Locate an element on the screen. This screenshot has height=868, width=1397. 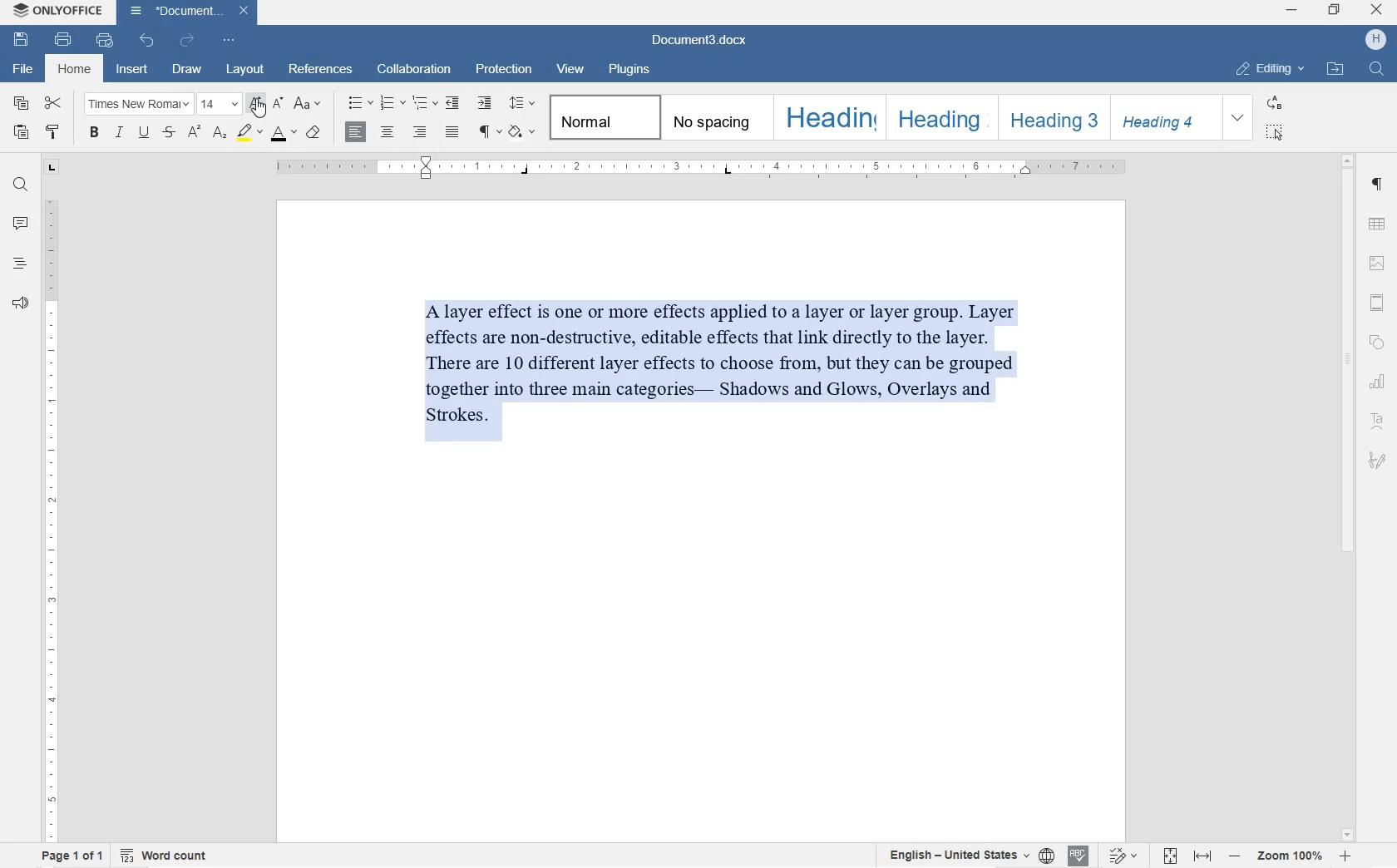
zoom out or in is located at coordinates (1287, 856).